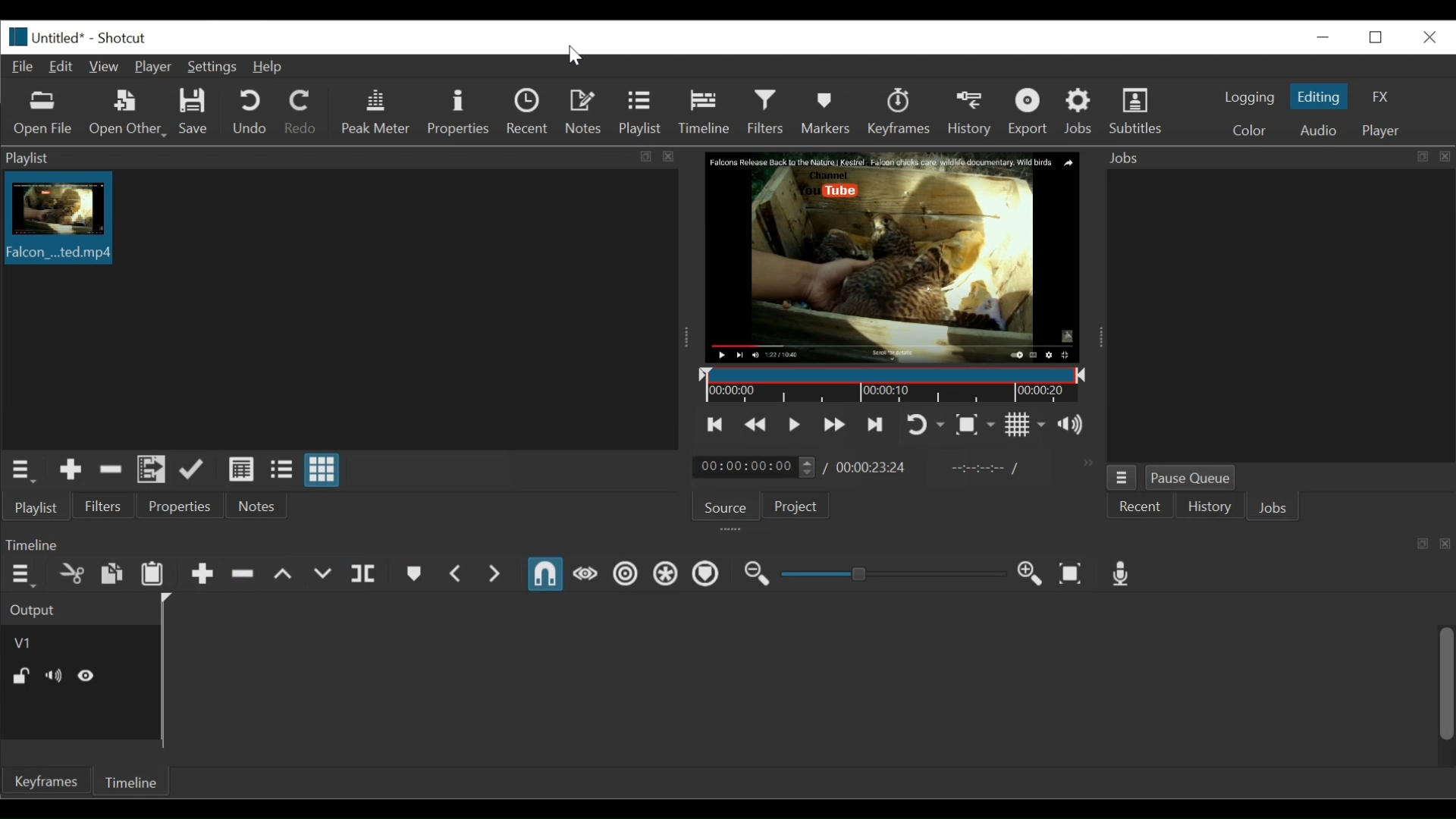  What do you see at coordinates (62, 67) in the screenshot?
I see `Edit` at bounding box center [62, 67].